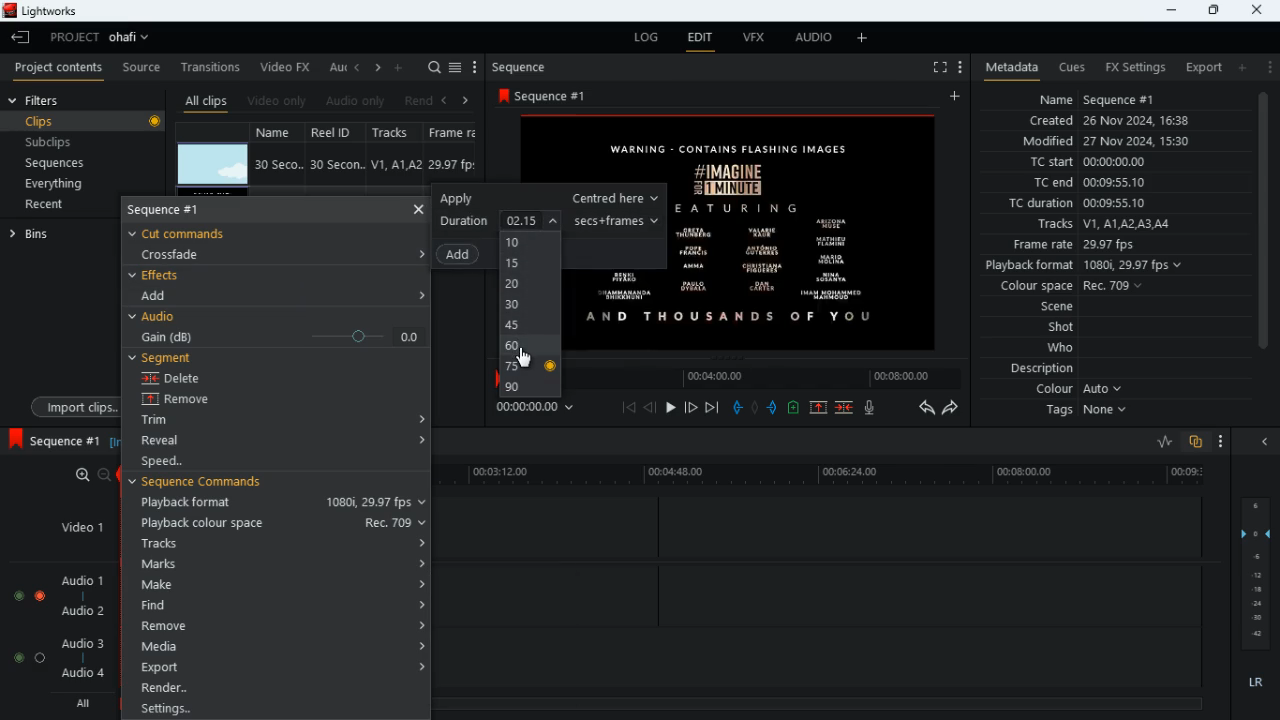  Describe the element at coordinates (525, 67) in the screenshot. I see `sequence` at that location.